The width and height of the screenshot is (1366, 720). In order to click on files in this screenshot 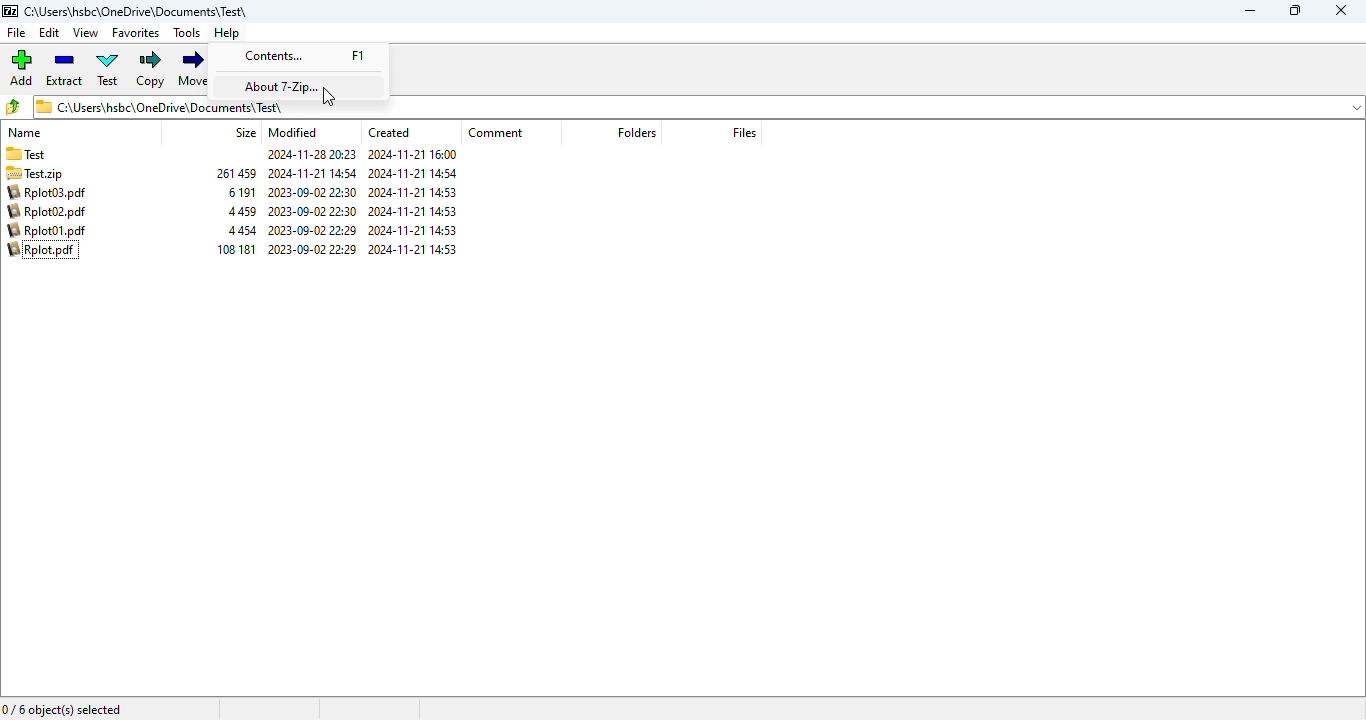, I will do `click(745, 132)`.